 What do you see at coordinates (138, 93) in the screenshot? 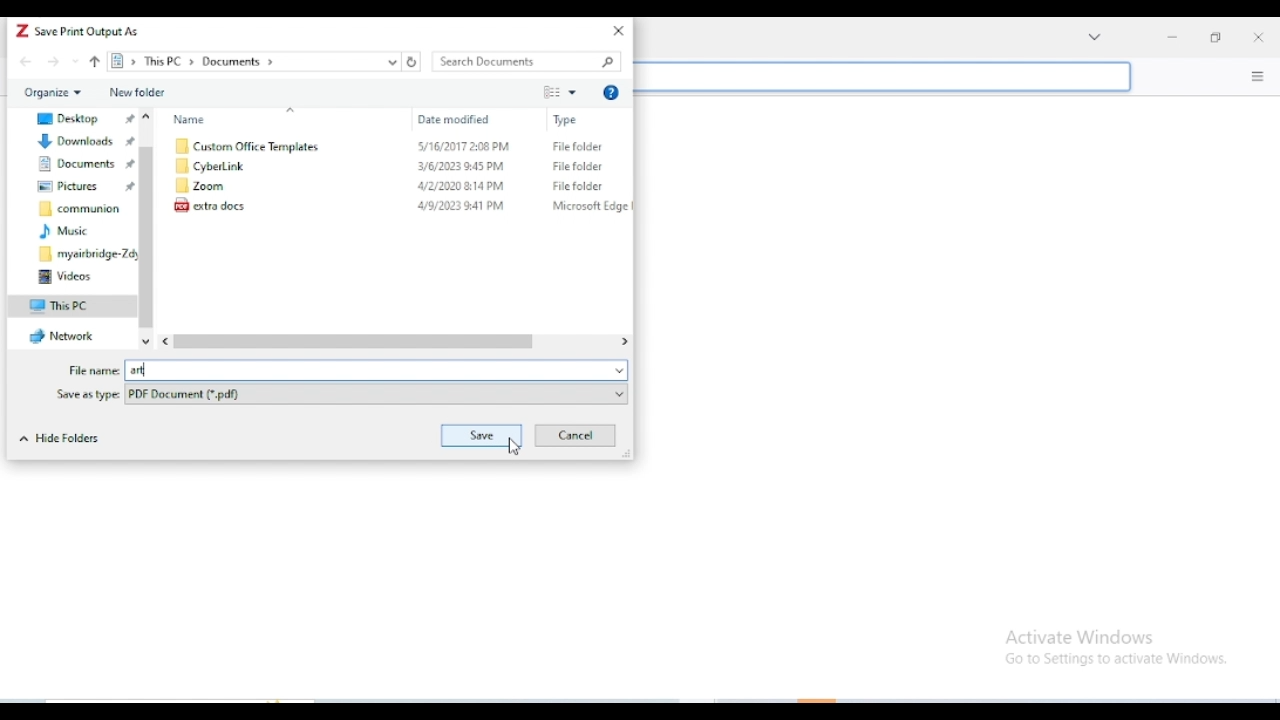
I see `new folder` at bounding box center [138, 93].